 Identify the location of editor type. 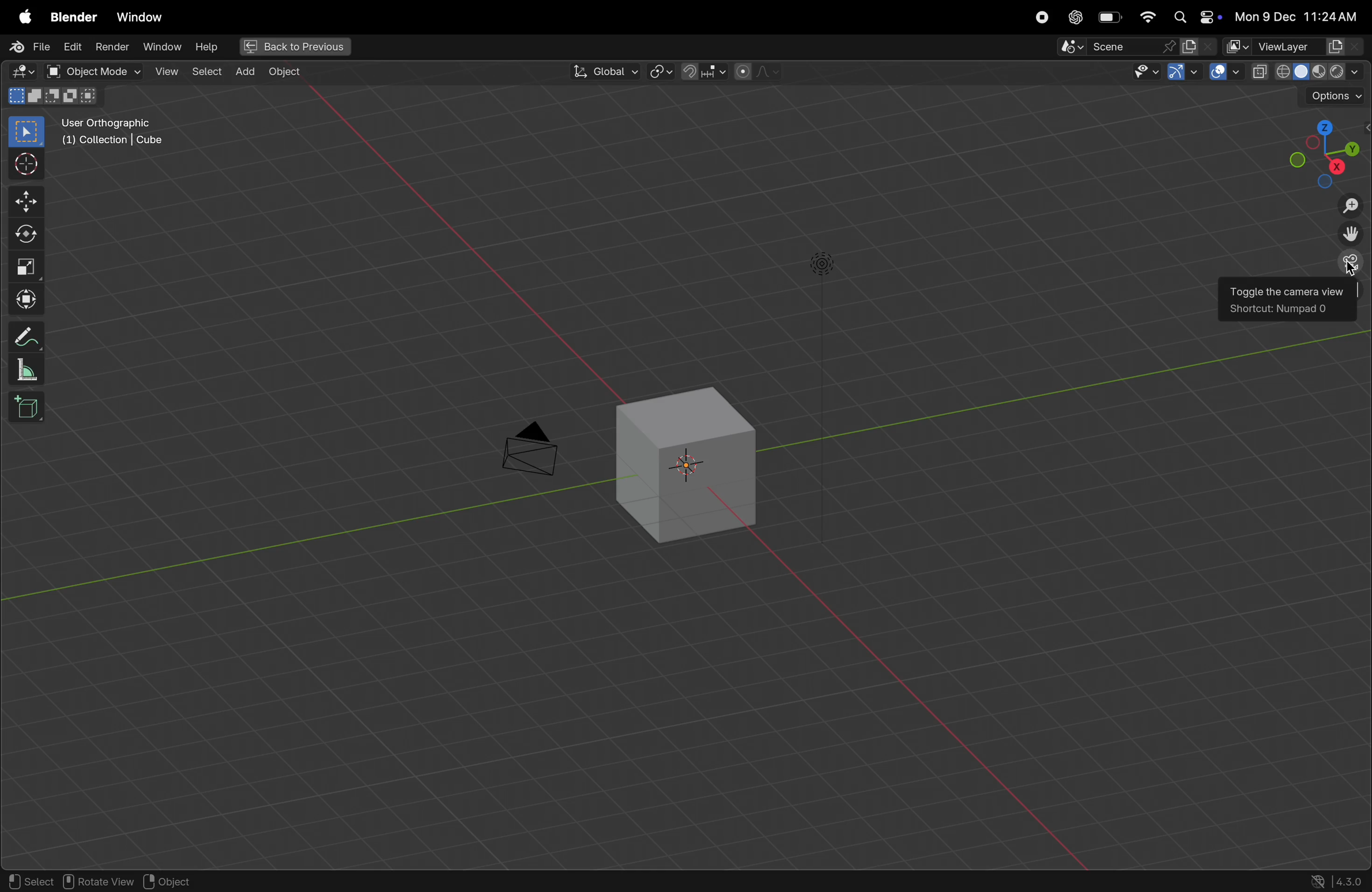
(22, 72).